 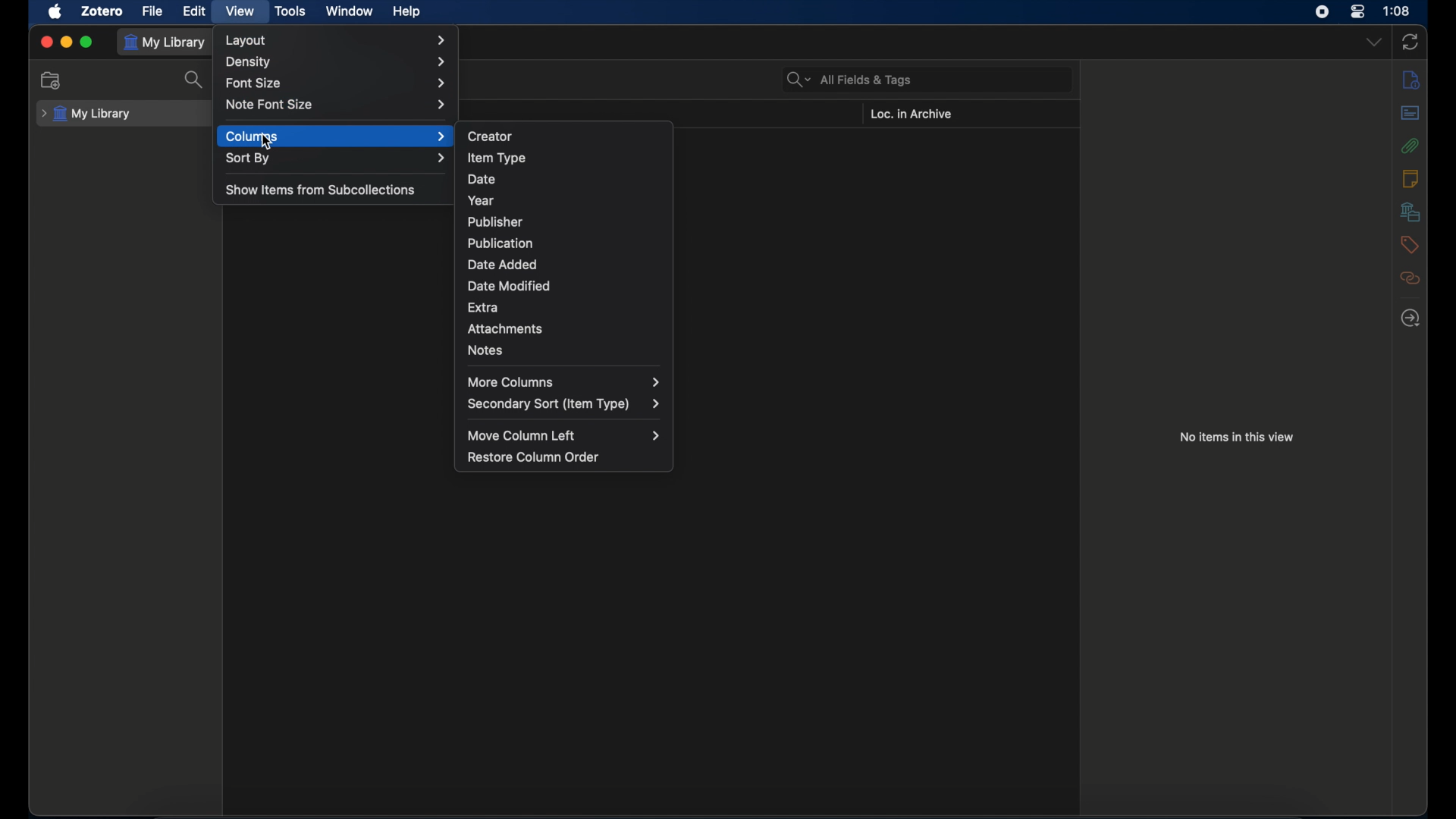 What do you see at coordinates (565, 436) in the screenshot?
I see `move column left` at bounding box center [565, 436].